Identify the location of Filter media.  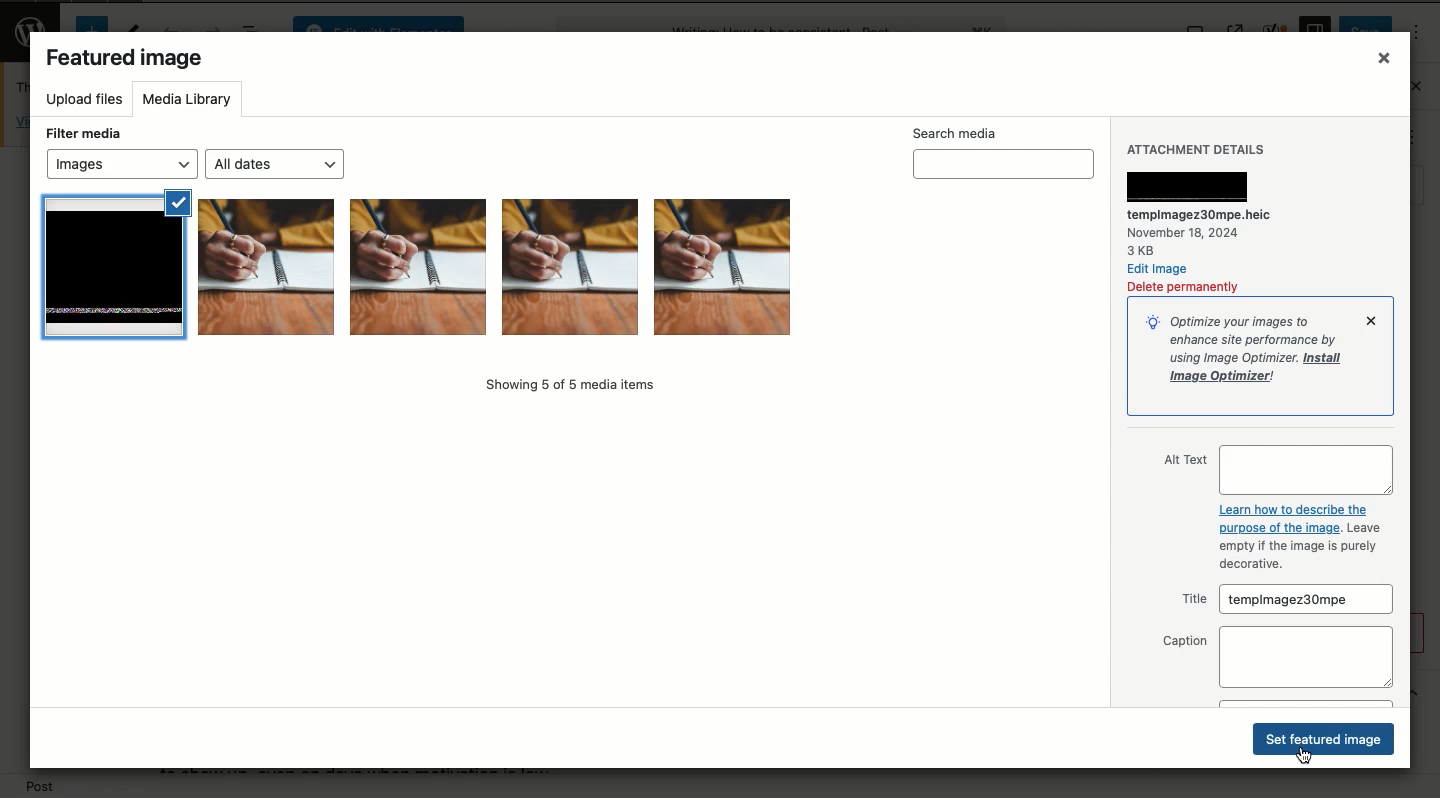
(84, 134).